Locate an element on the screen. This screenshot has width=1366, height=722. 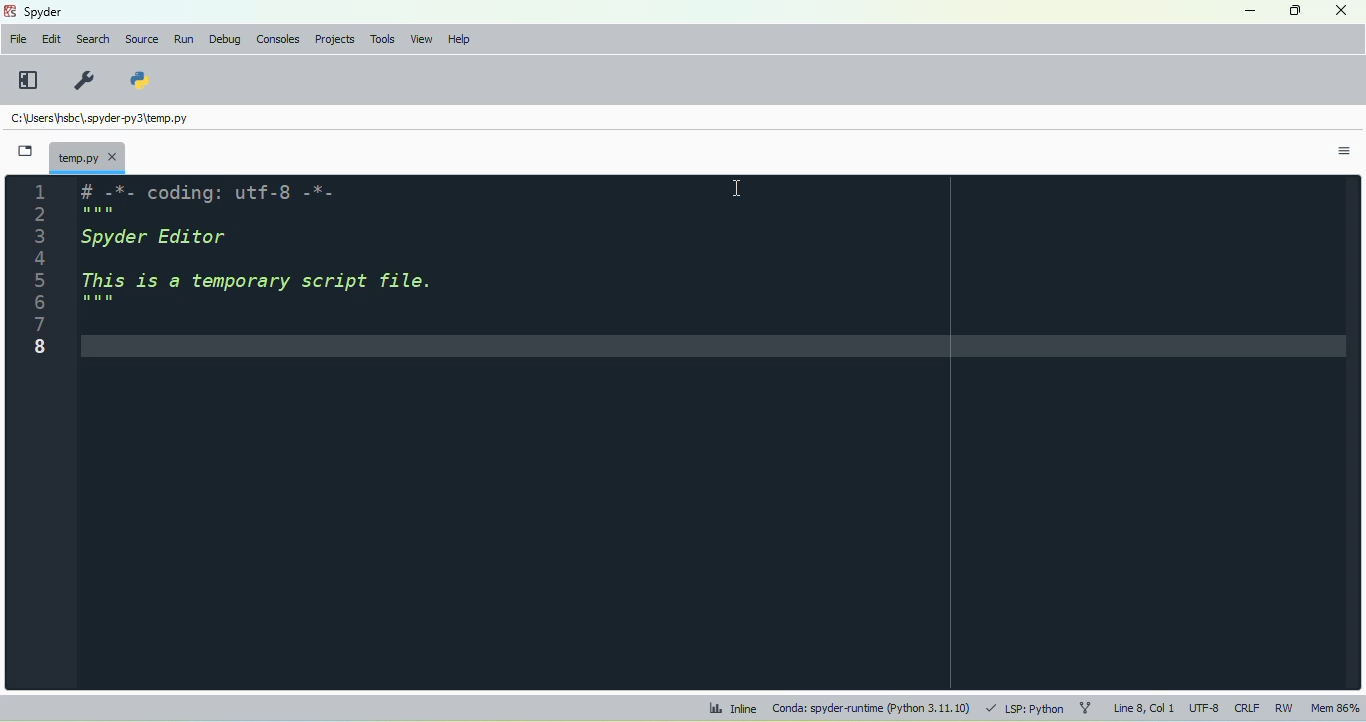
UTF-8 is located at coordinates (1205, 707).